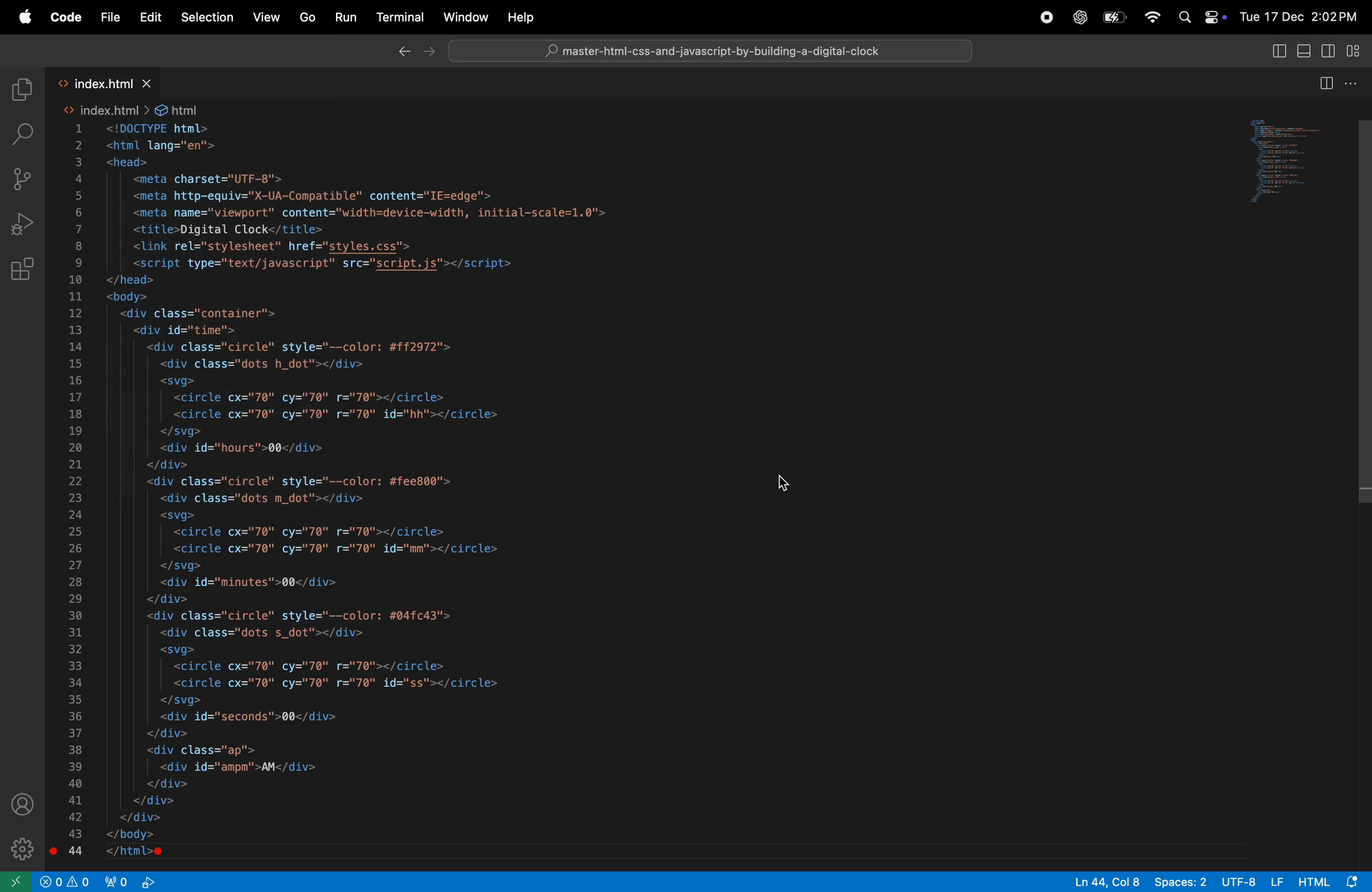  Describe the element at coordinates (21, 849) in the screenshot. I see `settings` at that location.